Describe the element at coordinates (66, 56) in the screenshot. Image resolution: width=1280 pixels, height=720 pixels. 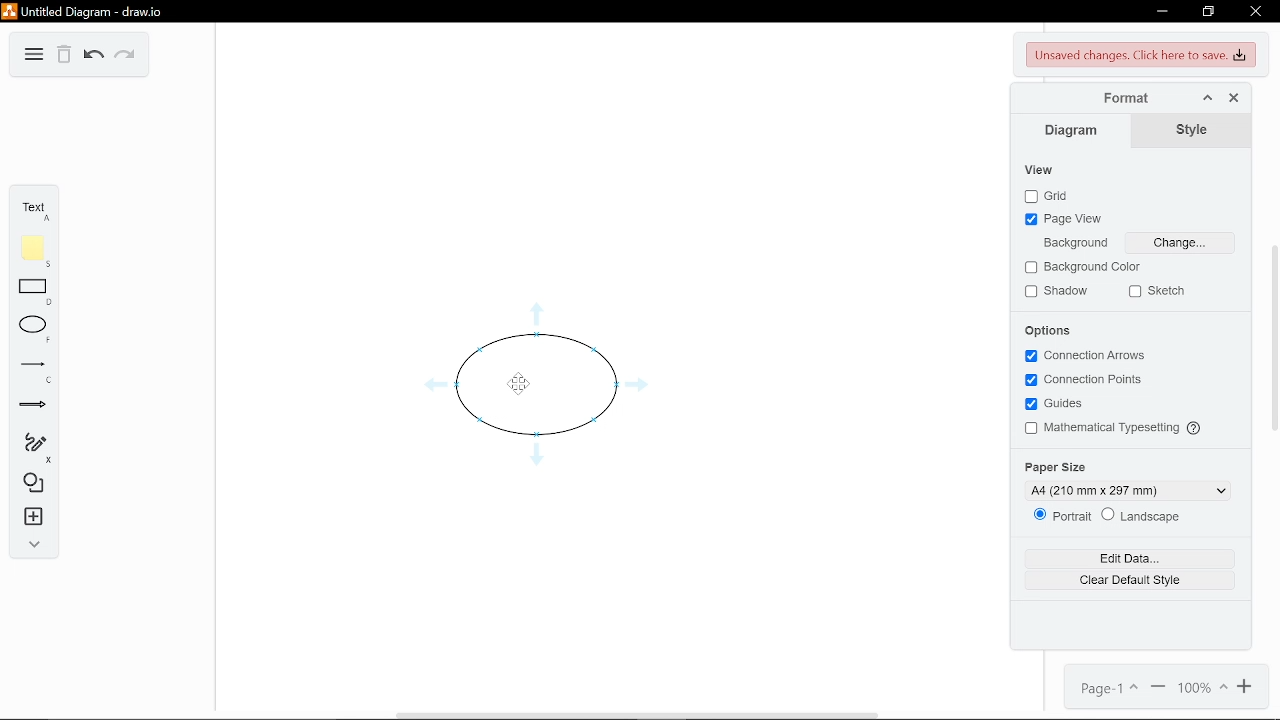
I see `Delete` at that location.